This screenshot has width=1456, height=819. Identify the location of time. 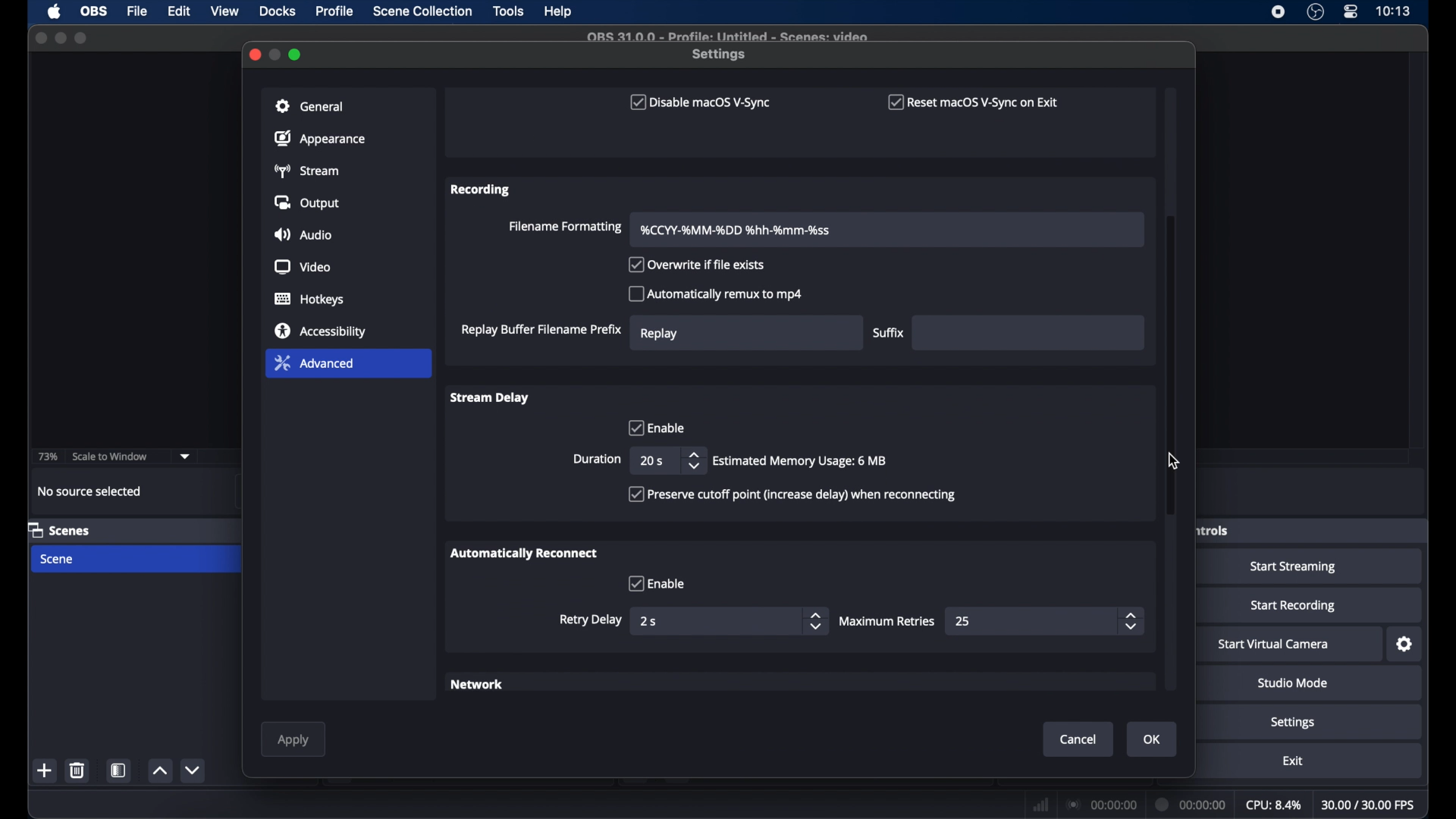
(1393, 11).